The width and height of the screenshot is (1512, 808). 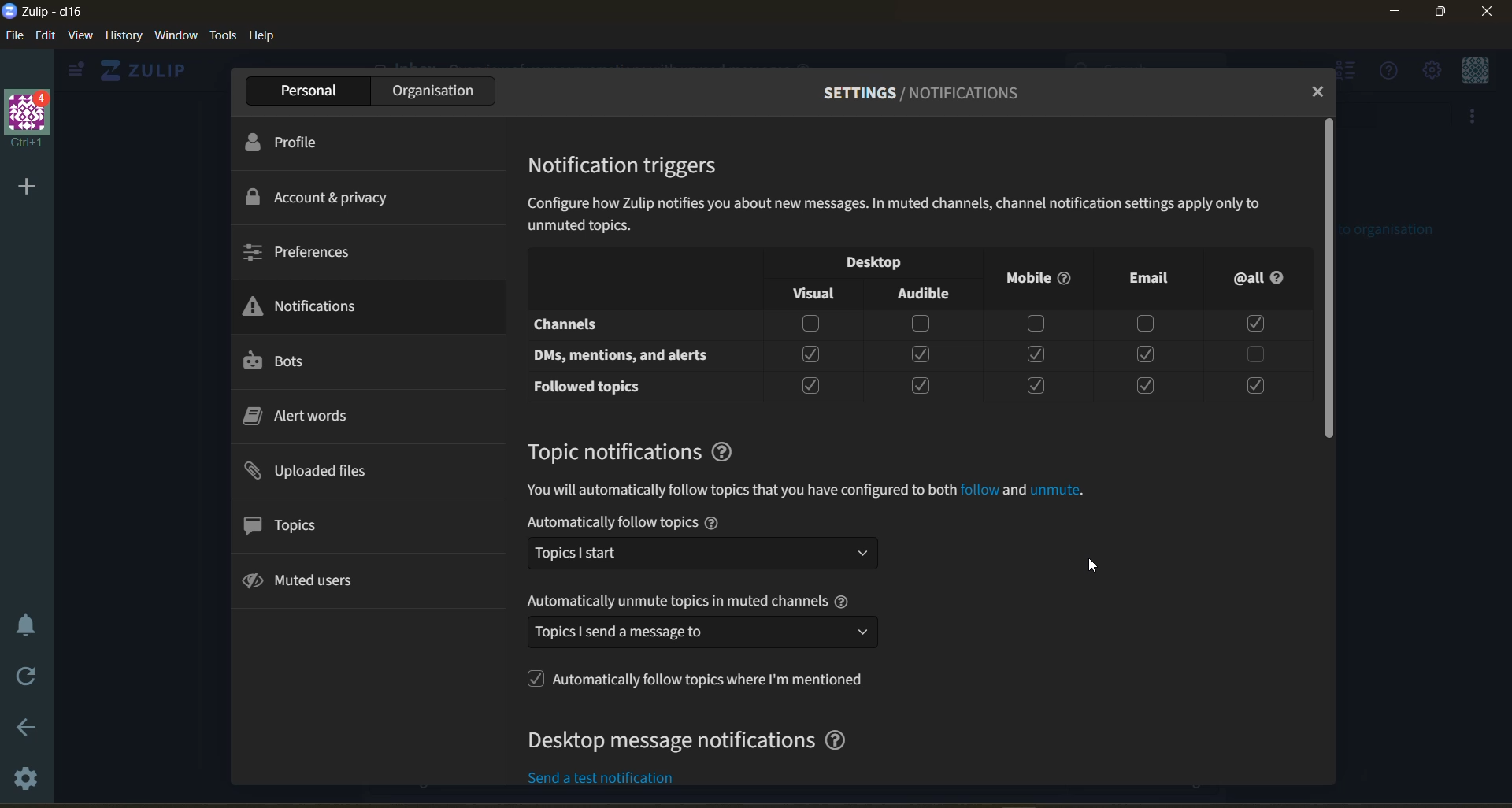 I want to click on automatically unmute topics, so click(x=702, y=602).